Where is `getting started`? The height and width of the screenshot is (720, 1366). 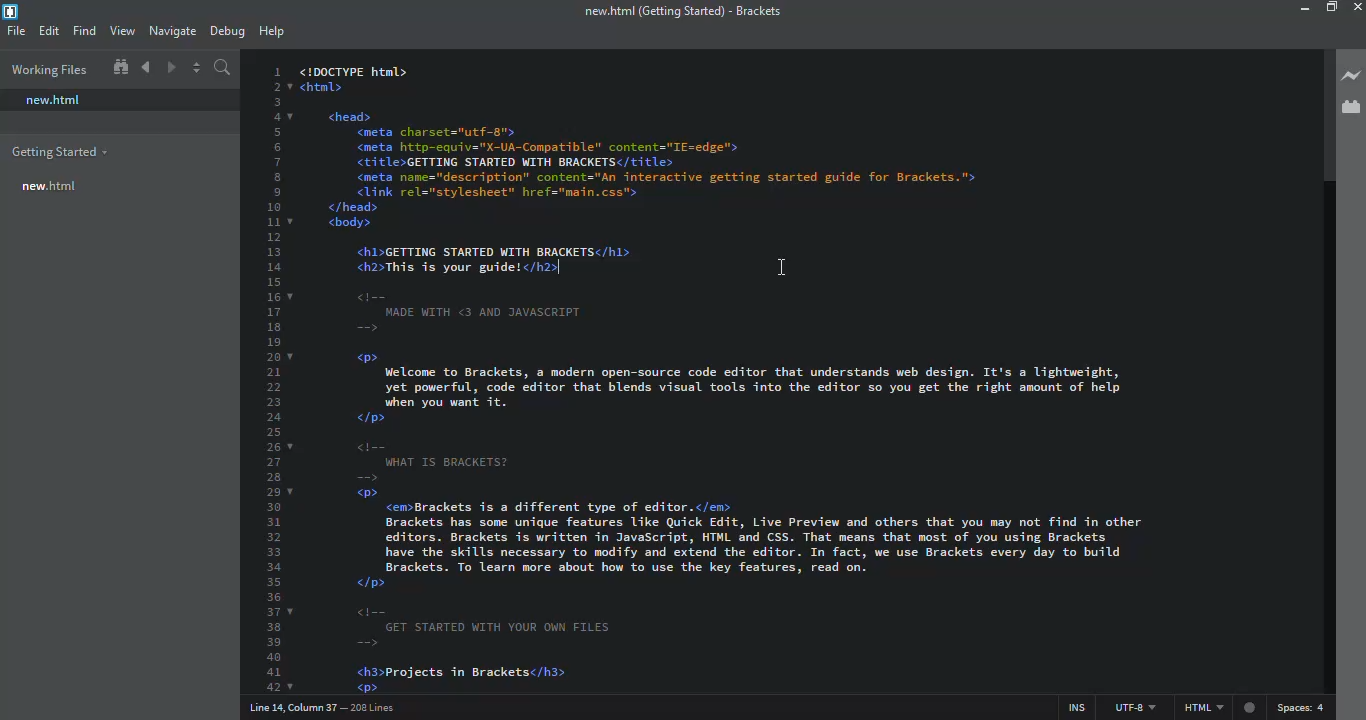 getting started is located at coordinates (61, 151).